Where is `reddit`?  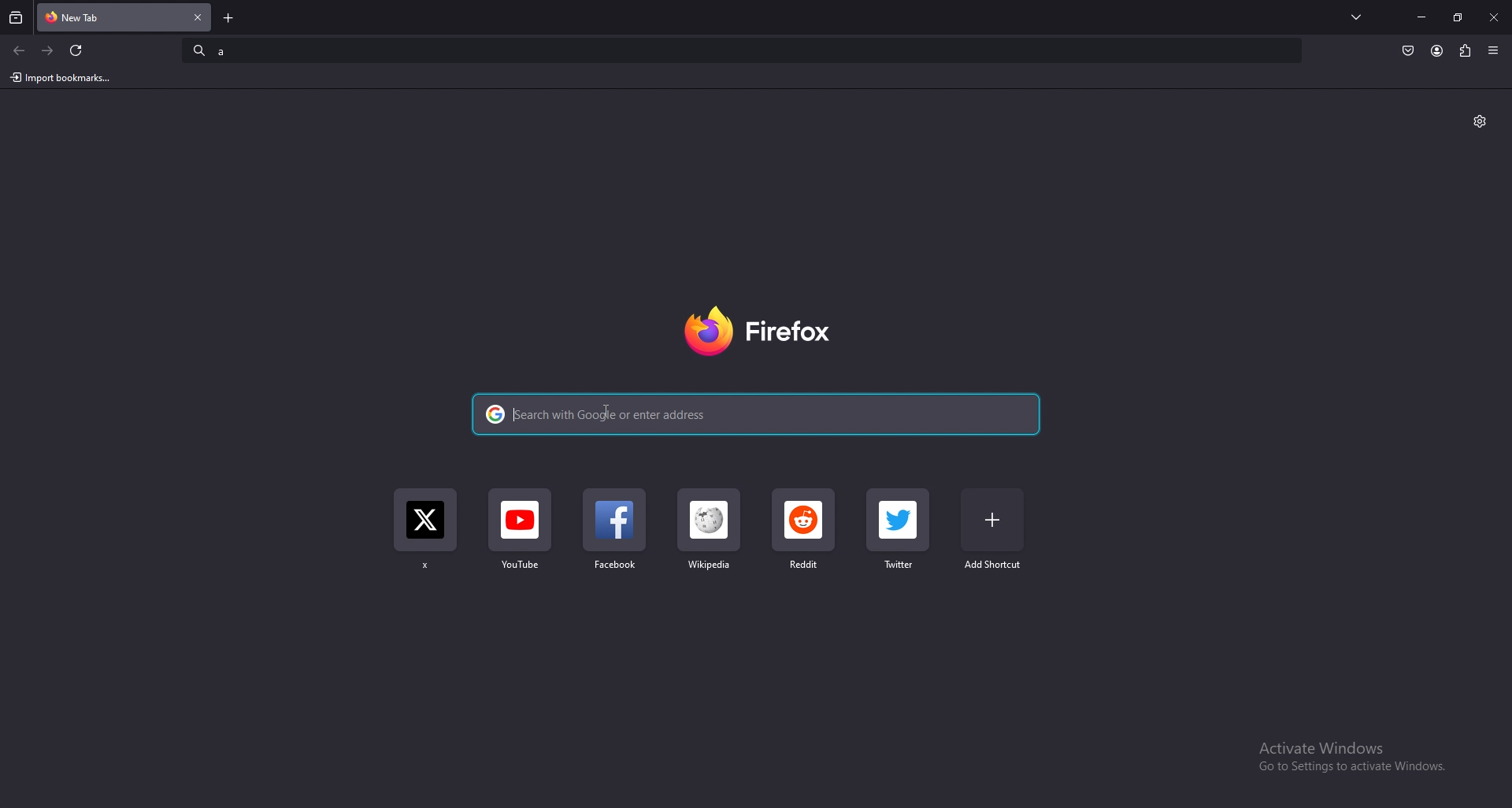
reddit is located at coordinates (804, 532).